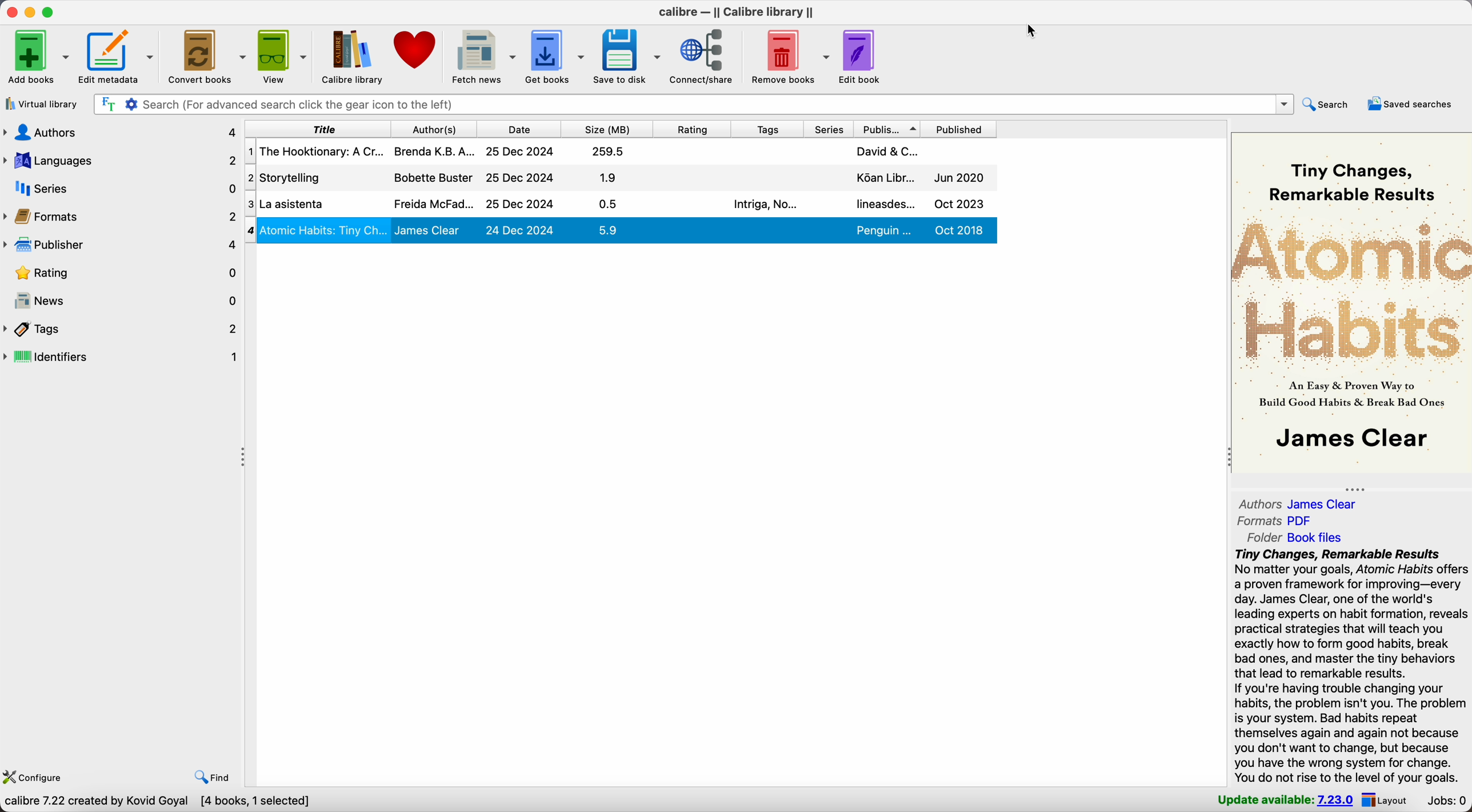 This screenshot has width=1472, height=812. I want to click on publisher, so click(121, 247).